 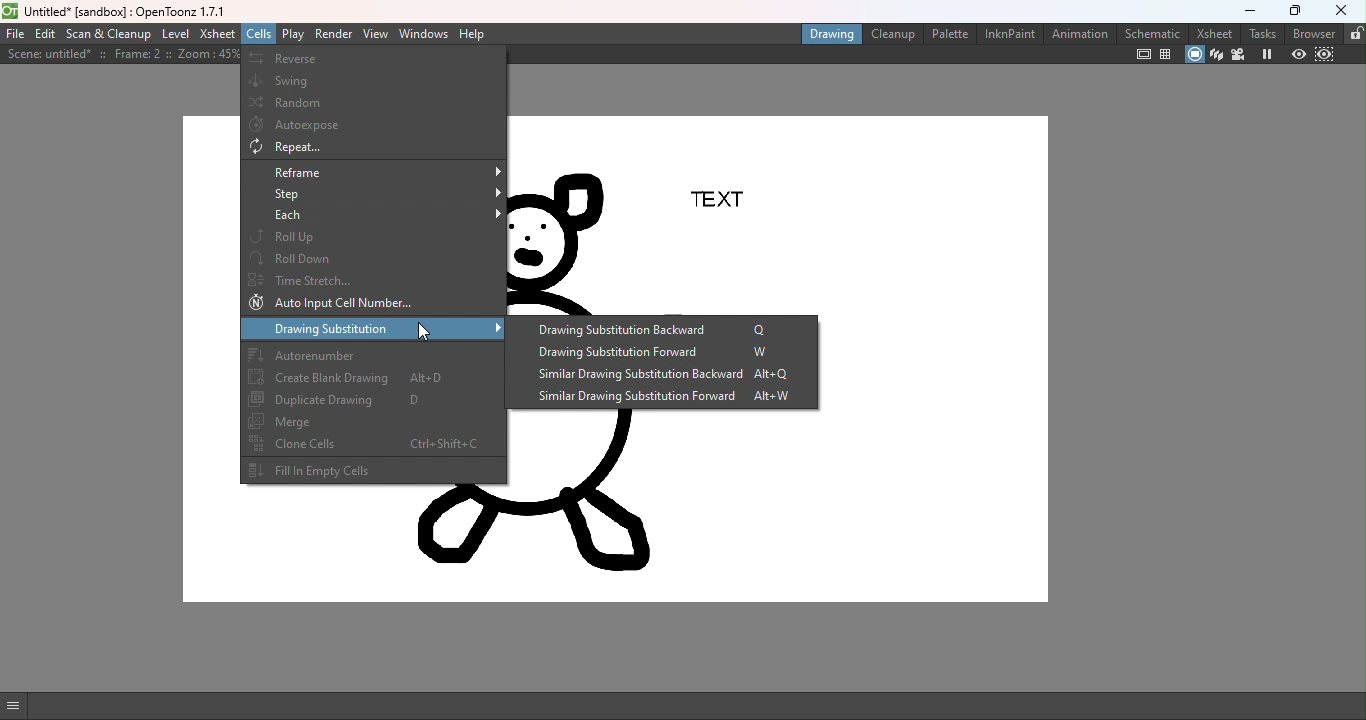 I want to click on Drawing substitution backward, so click(x=665, y=328).